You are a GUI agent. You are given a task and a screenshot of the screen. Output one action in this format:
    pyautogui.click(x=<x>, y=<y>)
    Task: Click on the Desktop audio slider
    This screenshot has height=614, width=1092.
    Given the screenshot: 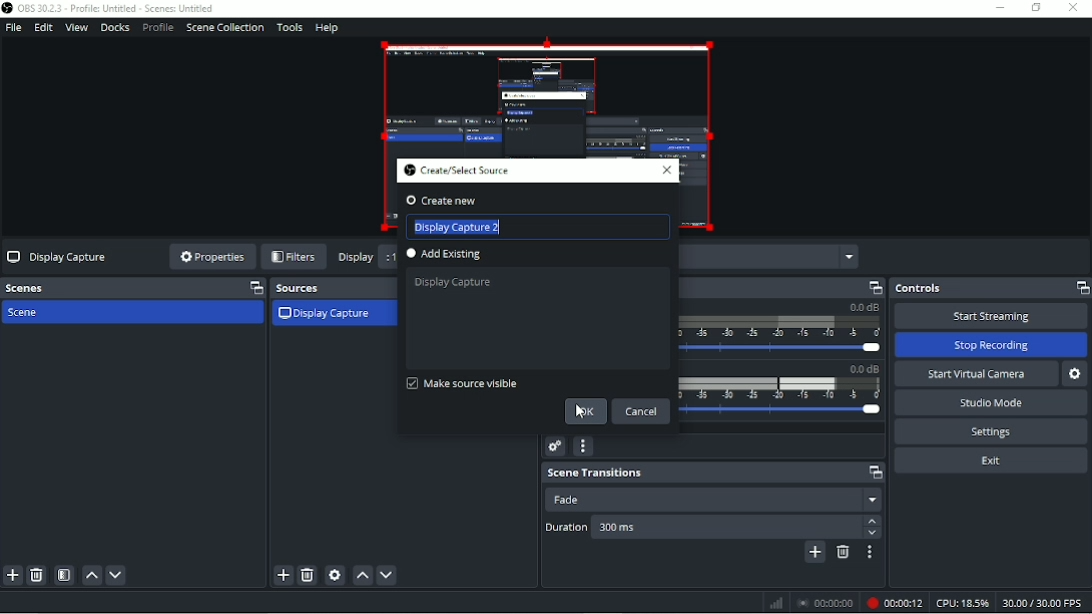 What is the action you would take?
    pyautogui.click(x=782, y=330)
    